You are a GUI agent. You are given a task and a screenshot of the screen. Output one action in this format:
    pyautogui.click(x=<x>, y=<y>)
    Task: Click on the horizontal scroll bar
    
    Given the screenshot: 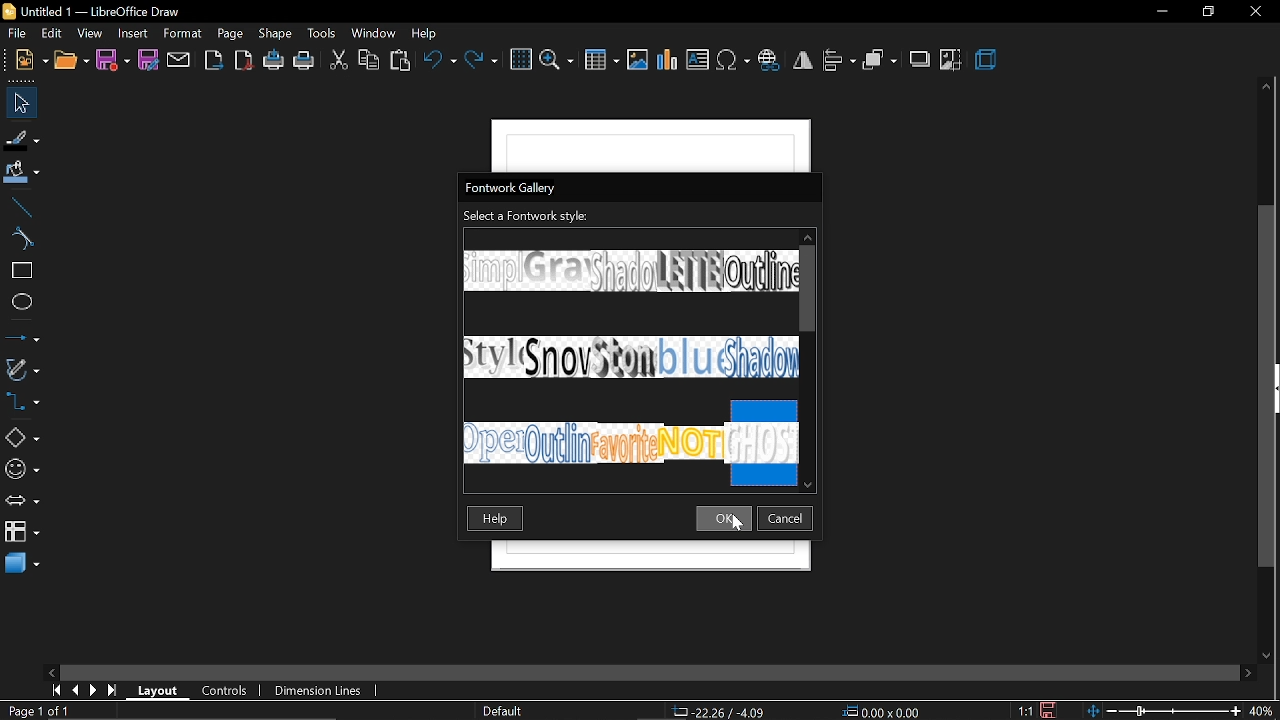 What is the action you would take?
    pyautogui.click(x=646, y=675)
    